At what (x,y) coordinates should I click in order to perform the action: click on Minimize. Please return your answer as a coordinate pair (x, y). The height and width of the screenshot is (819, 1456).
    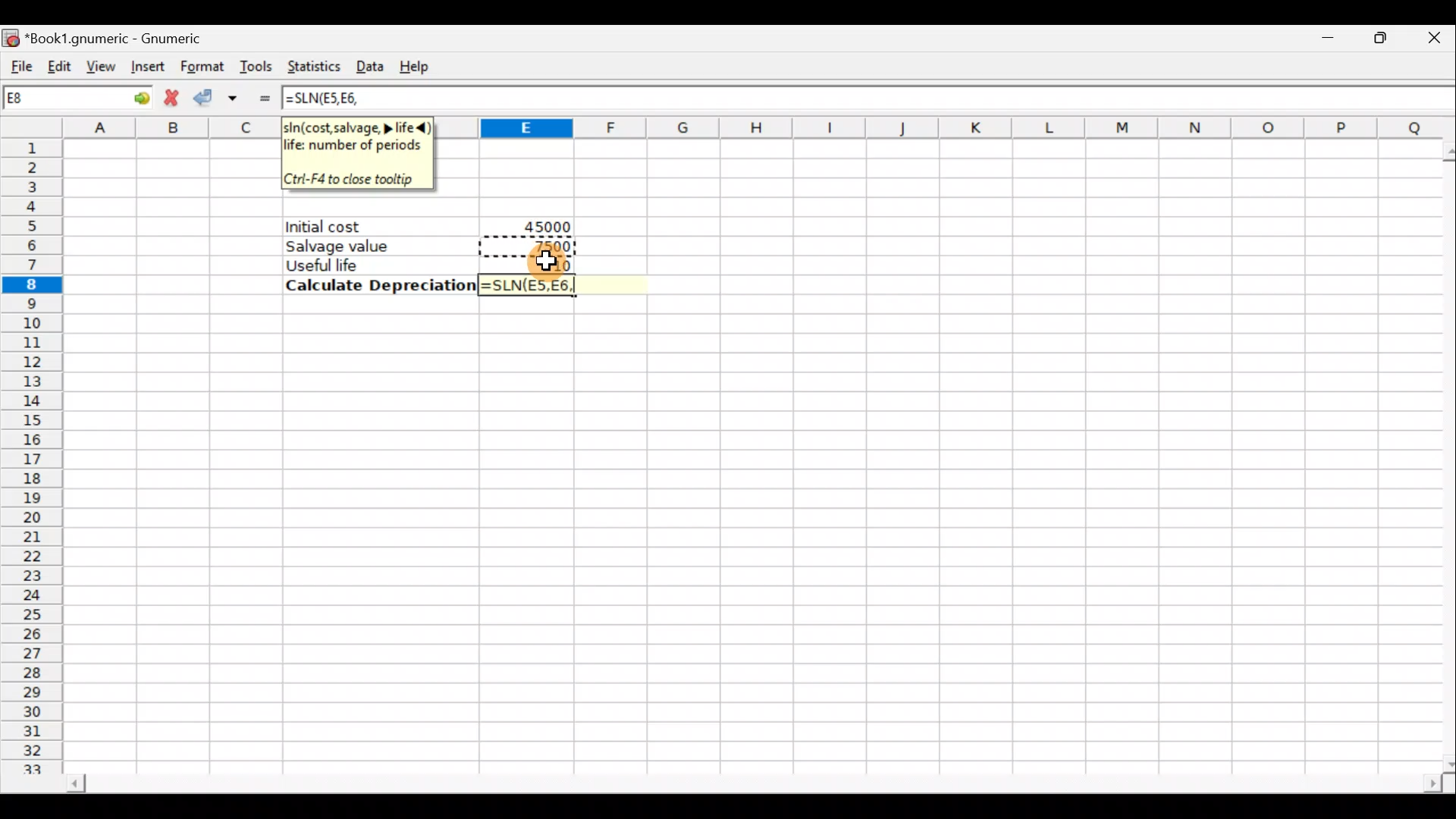
    Looking at the image, I should click on (1325, 42).